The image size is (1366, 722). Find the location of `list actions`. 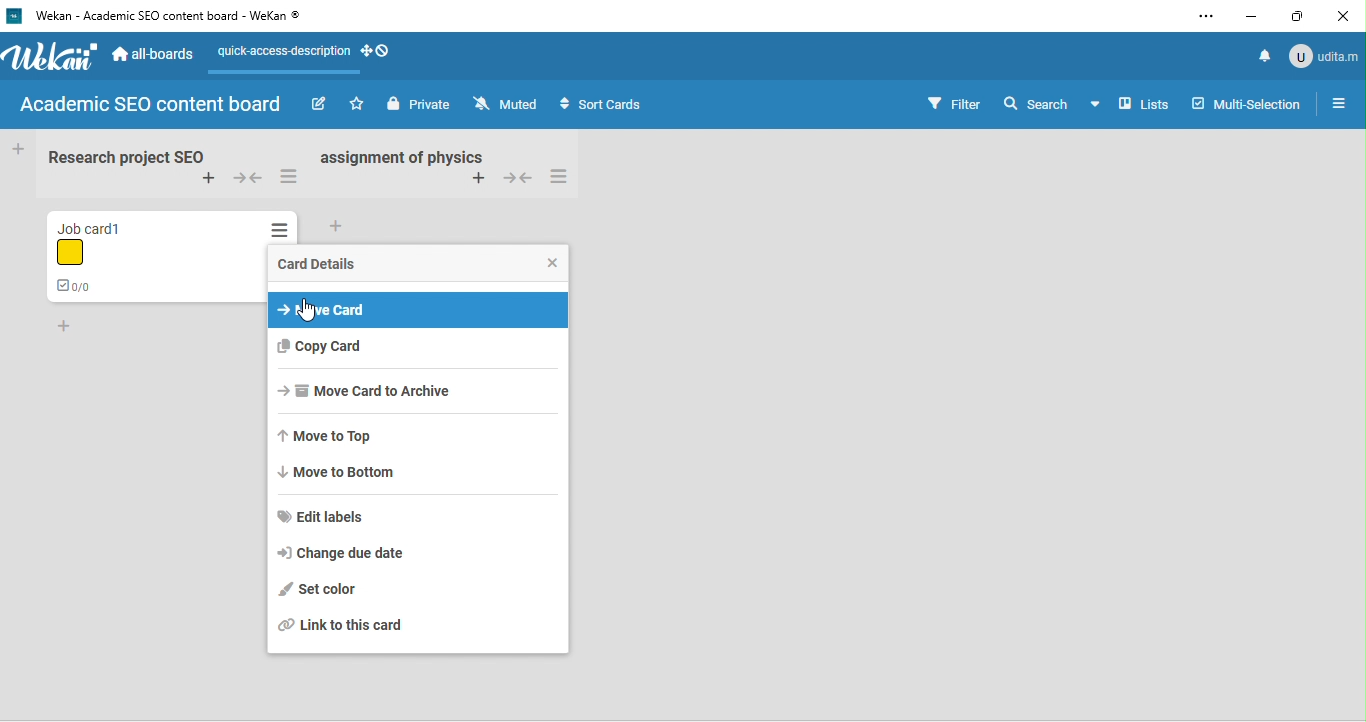

list actions is located at coordinates (570, 178).